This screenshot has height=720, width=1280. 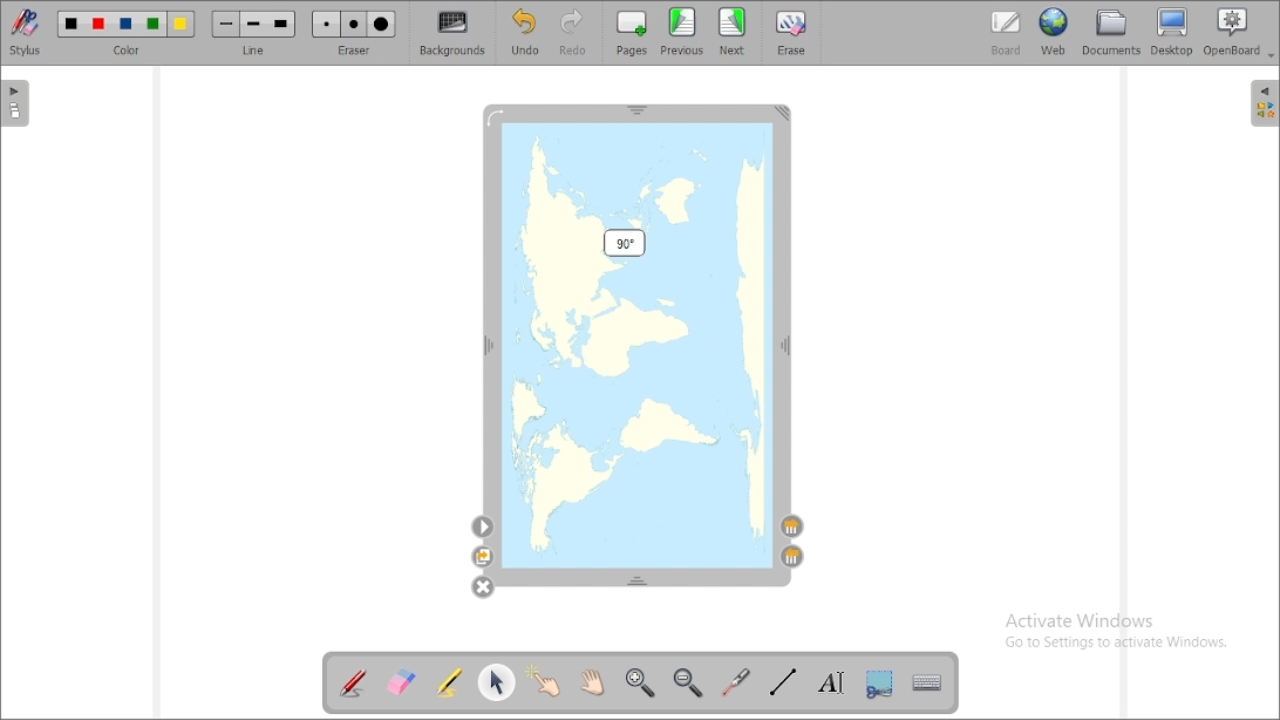 What do you see at coordinates (793, 527) in the screenshot?
I see `layer down` at bounding box center [793, 527].